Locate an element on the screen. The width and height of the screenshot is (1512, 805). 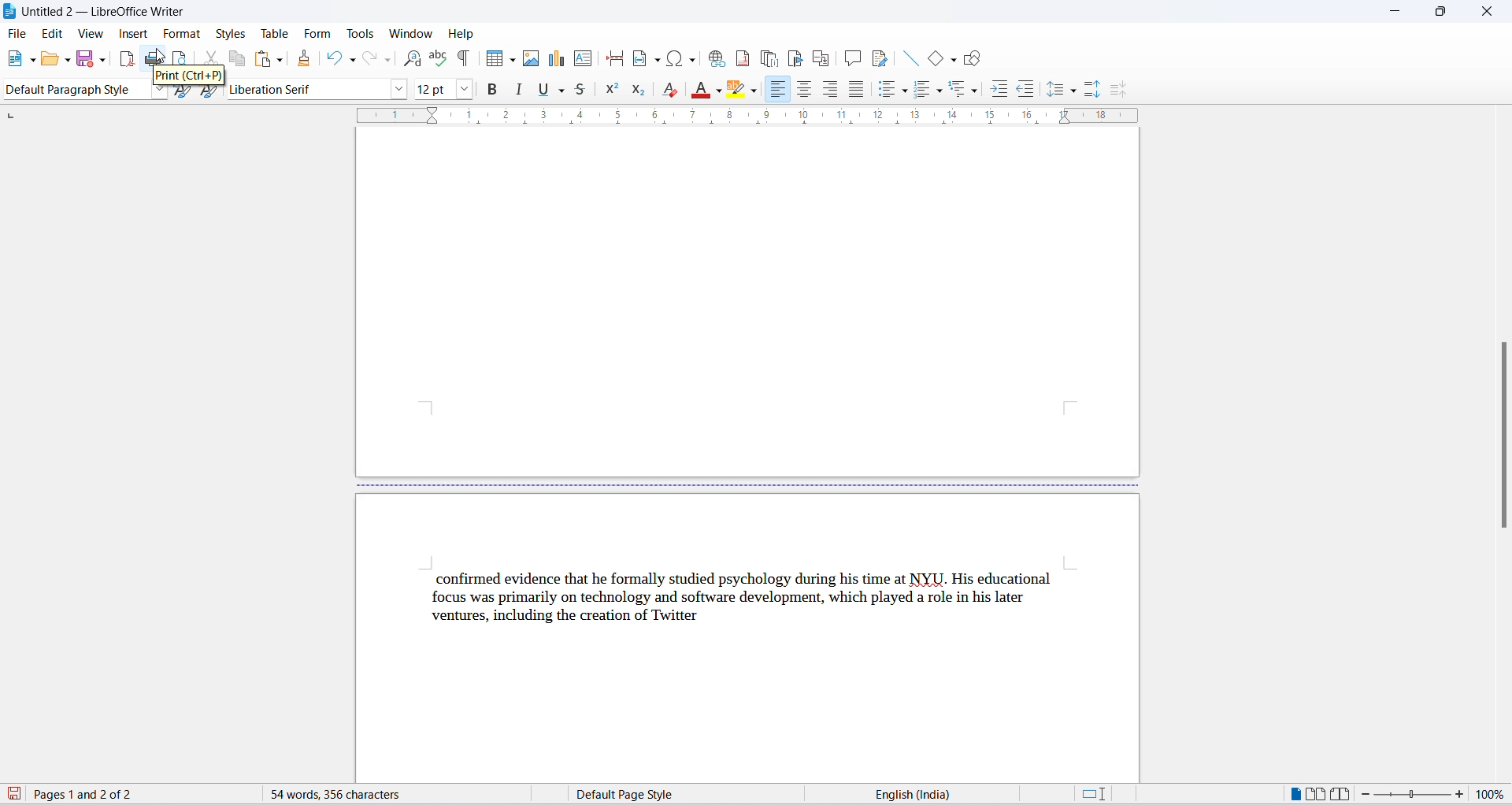
decrease paragraph space is located at coordinates (1123, 90).